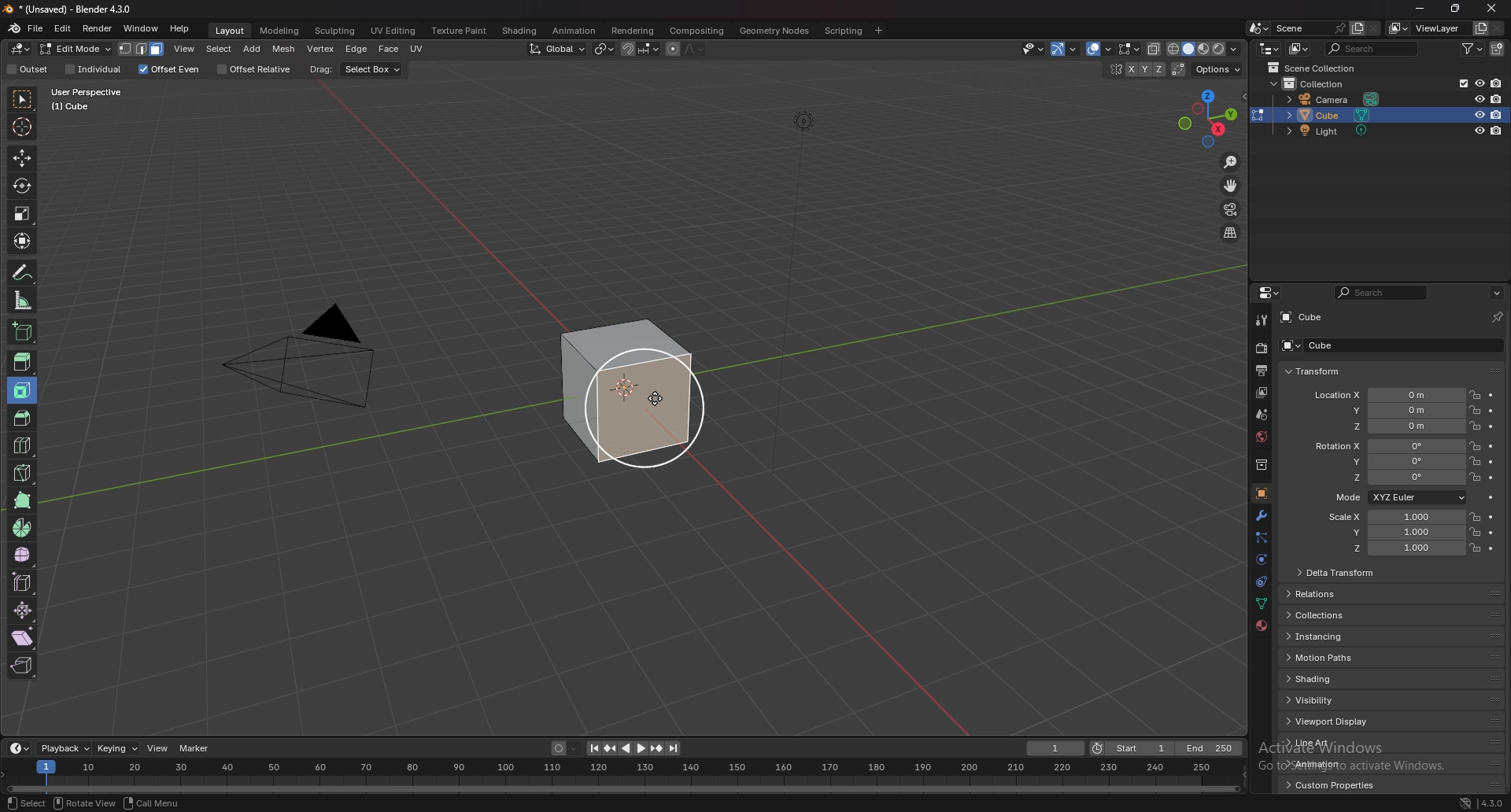 Image resolution: width=1511 pixels, height=812 pixels. What do you see at coordinates (1475, 478) in the screenshot?
I see `lock` at bounding box center [1475, 478].